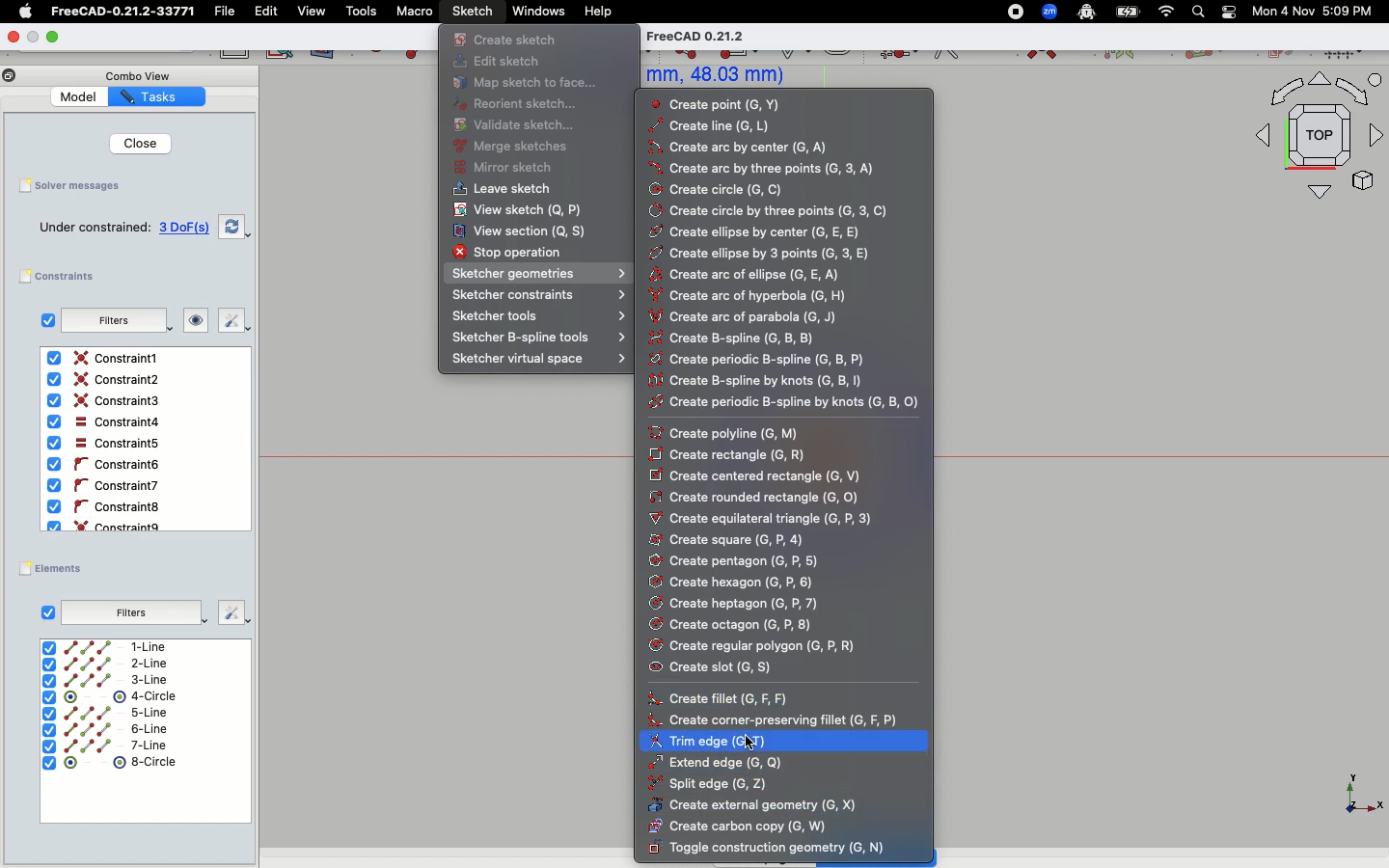  Describe the element at coordinates (756, 805) in the screenshot. I see `Create external geometry` at that location.